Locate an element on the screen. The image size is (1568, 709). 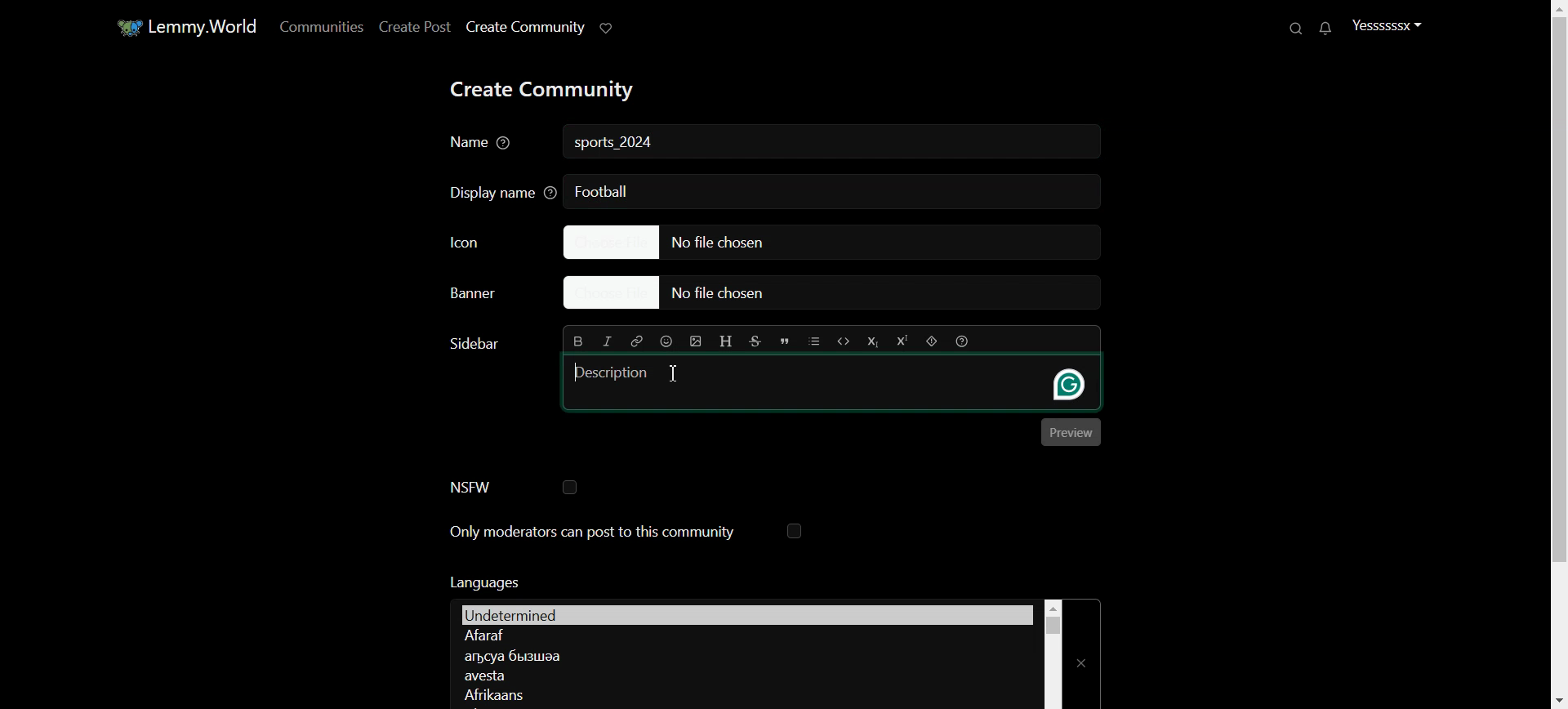
Icon  is located at coordinates (490, 241).